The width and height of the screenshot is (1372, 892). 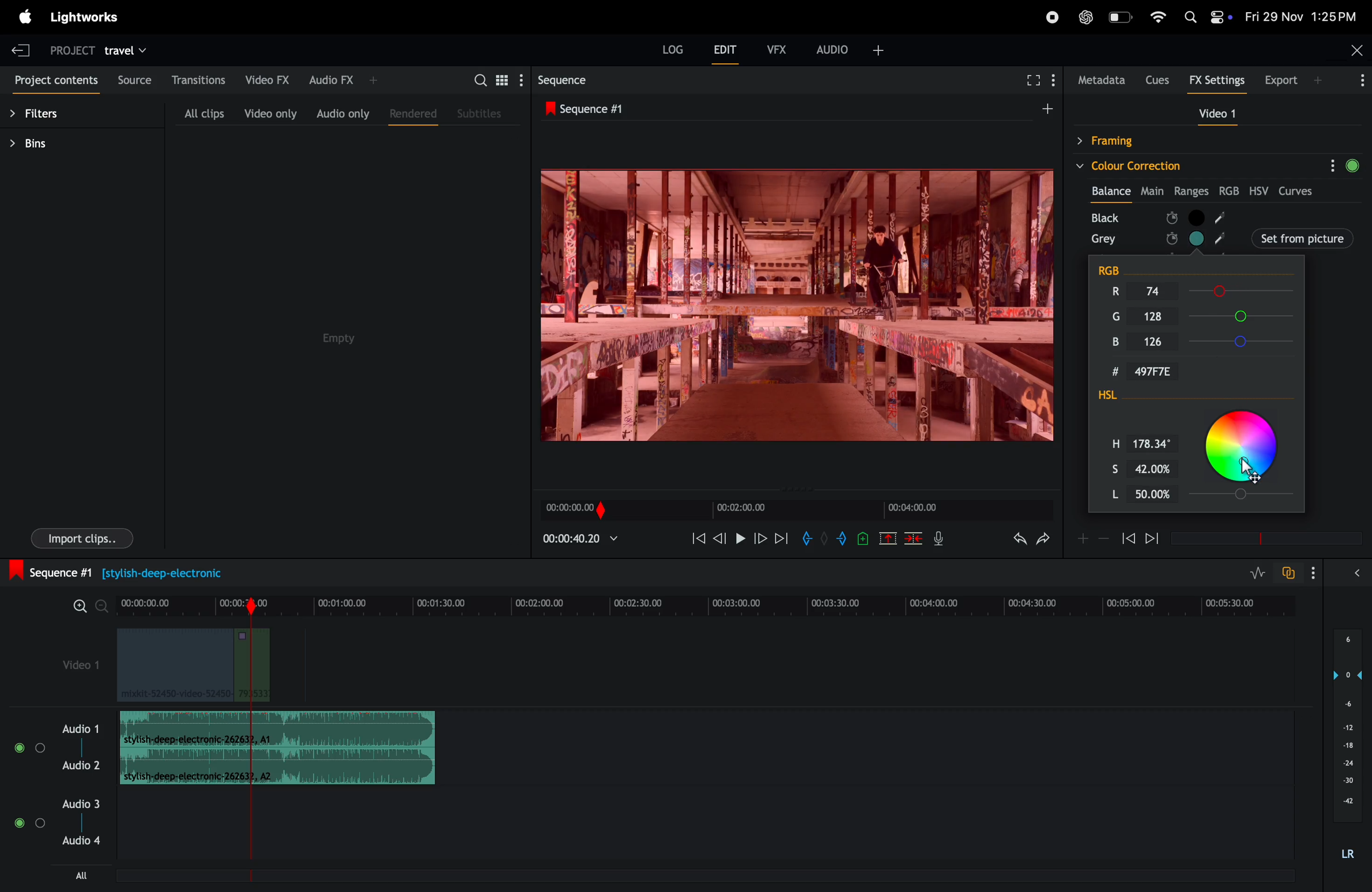 What do you see at coordinates (1160, 316) in the screenshot?
I see `G Input` at bounding box center [1160, 316].